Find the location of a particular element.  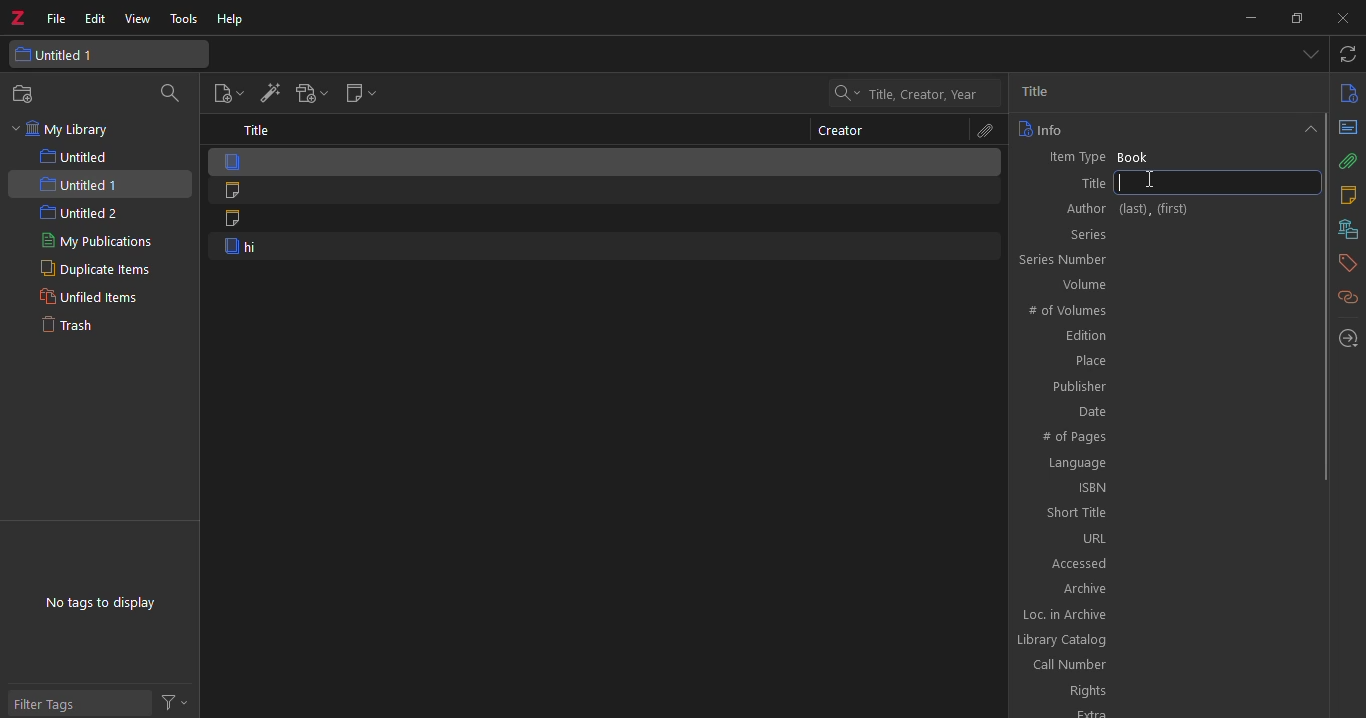

my publications is located at coordinates (104, 243).